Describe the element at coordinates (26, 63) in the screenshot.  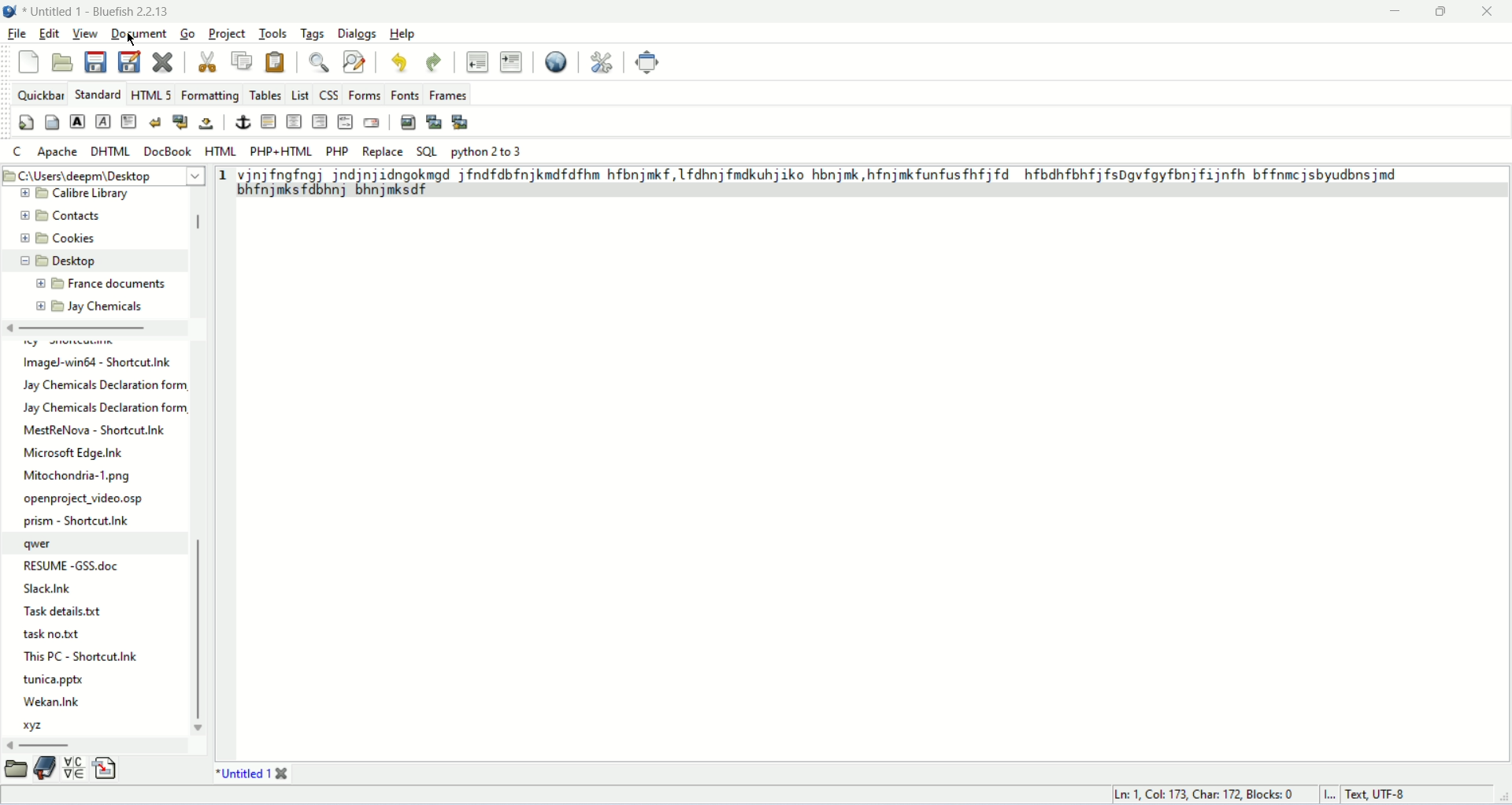
I see `new` at that location.